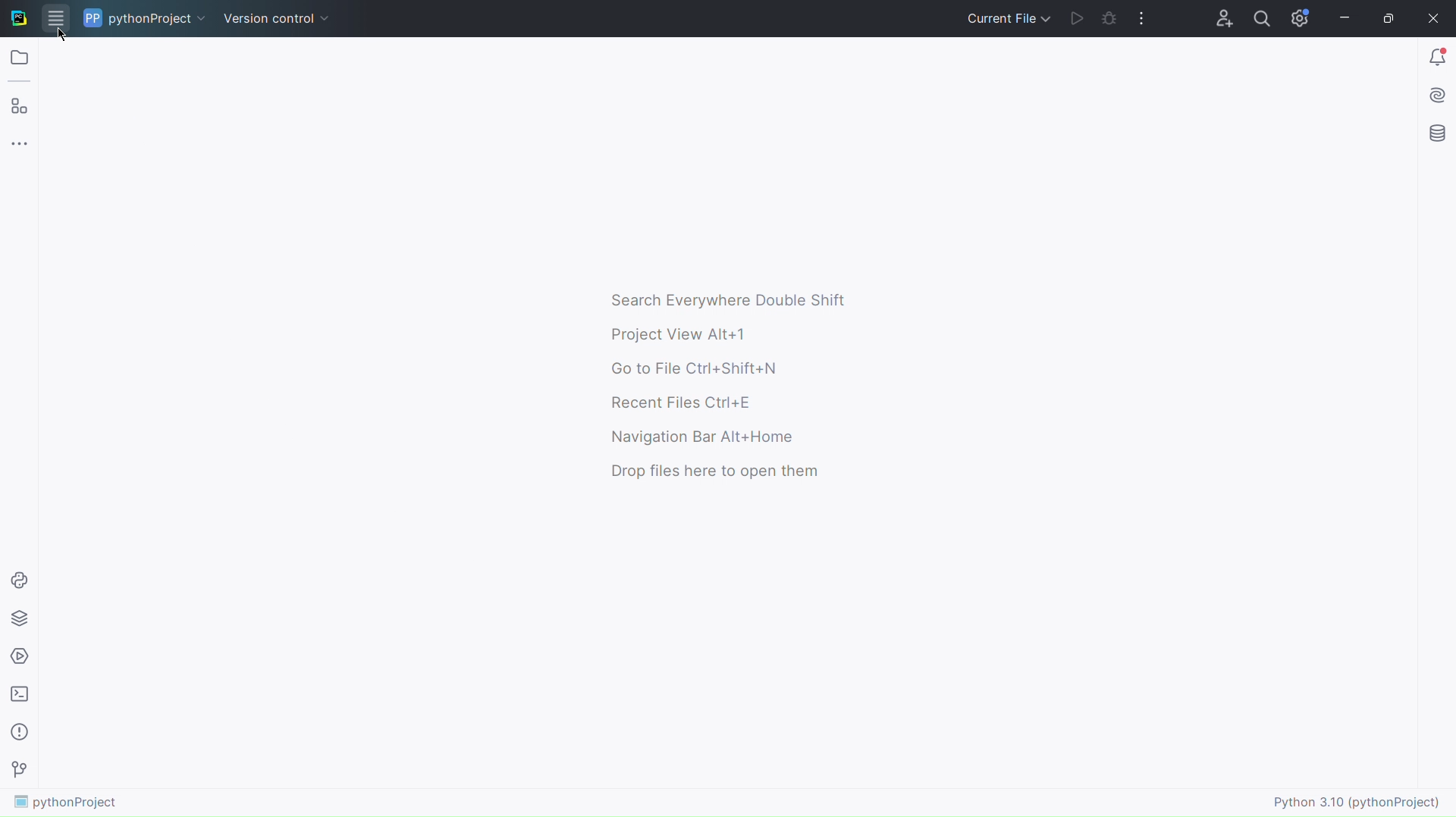 The height and width of the screenshot is (817, 1456). What do you see at coordinates (19, 771) in the screenshot?
I see `Version Control` at bounding box center [19, 771].